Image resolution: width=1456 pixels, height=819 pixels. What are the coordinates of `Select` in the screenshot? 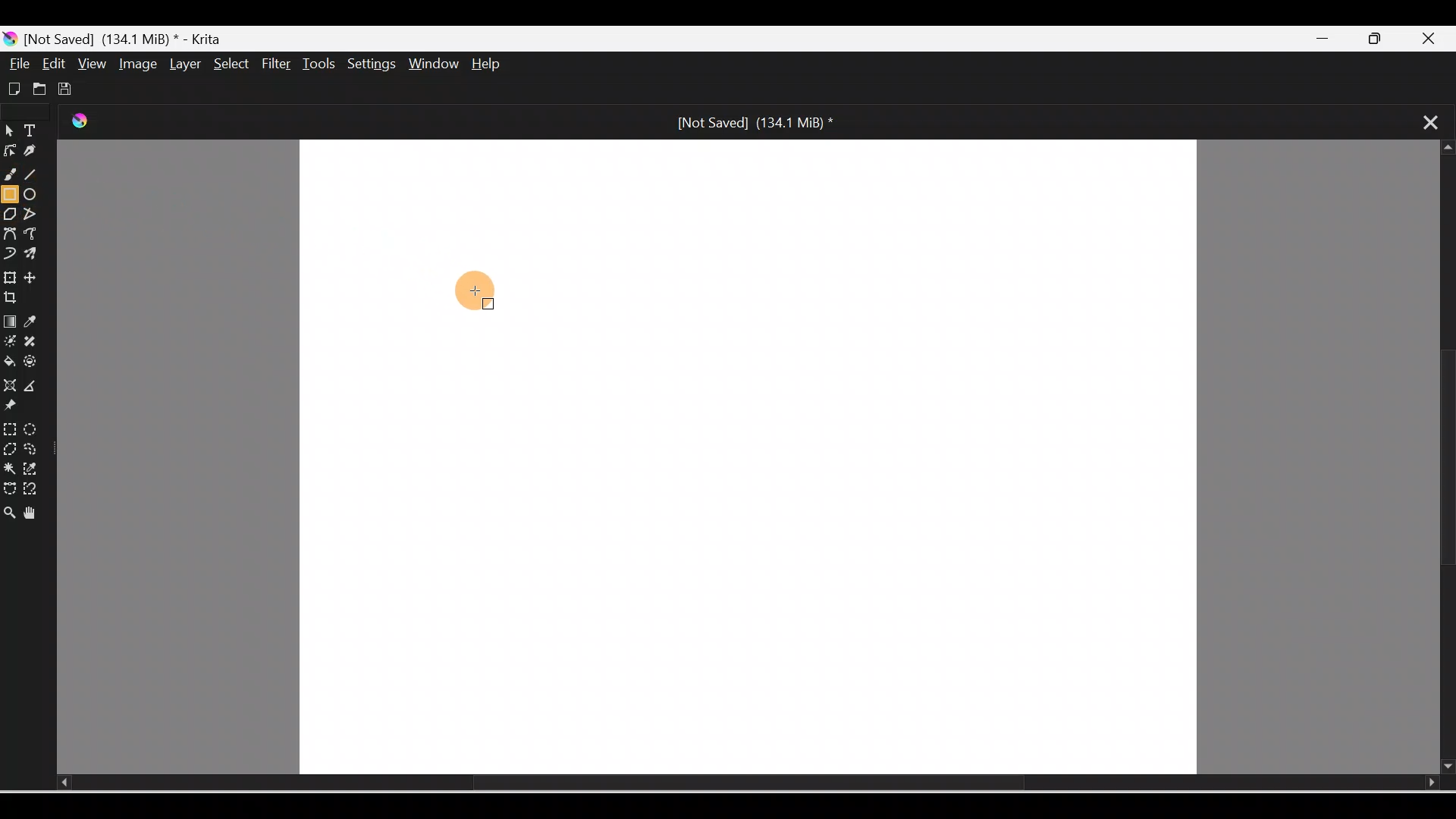 It's located at (227, 63).